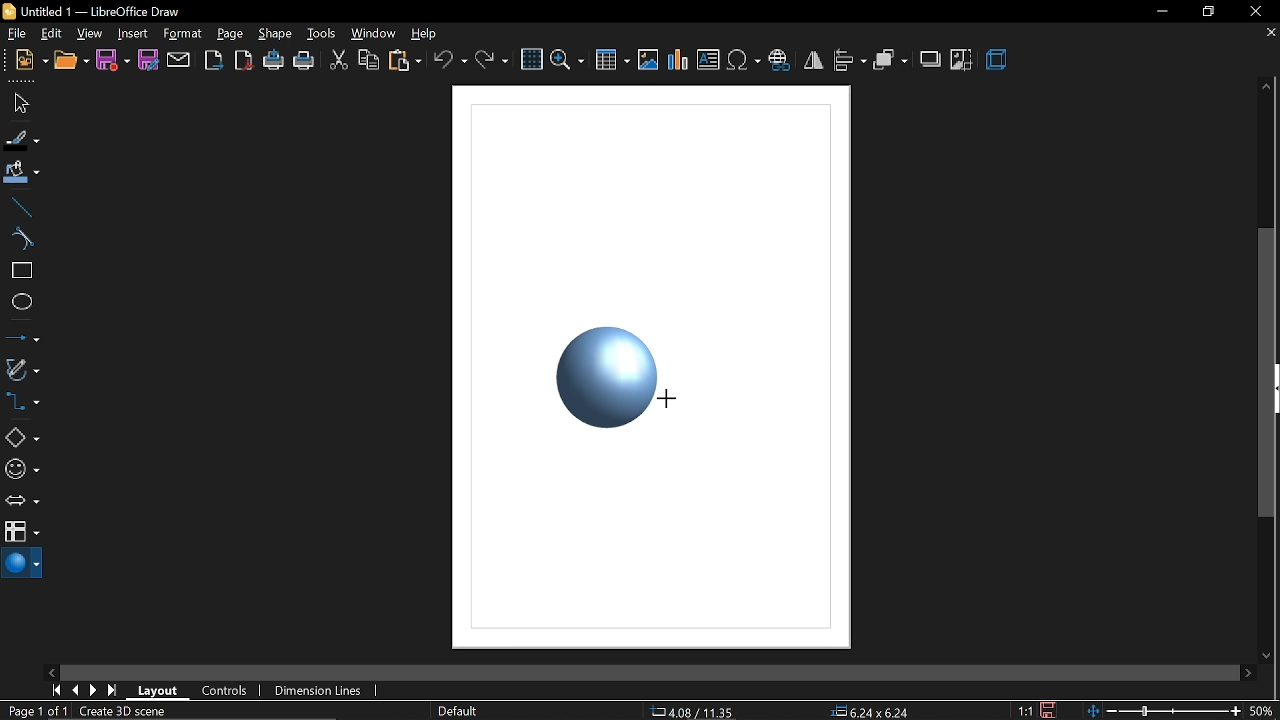 This screenshot has height=720, width=1280. Describe the element at coordinates (19, 270) in the screenshot. I see `rectangle` at that location.